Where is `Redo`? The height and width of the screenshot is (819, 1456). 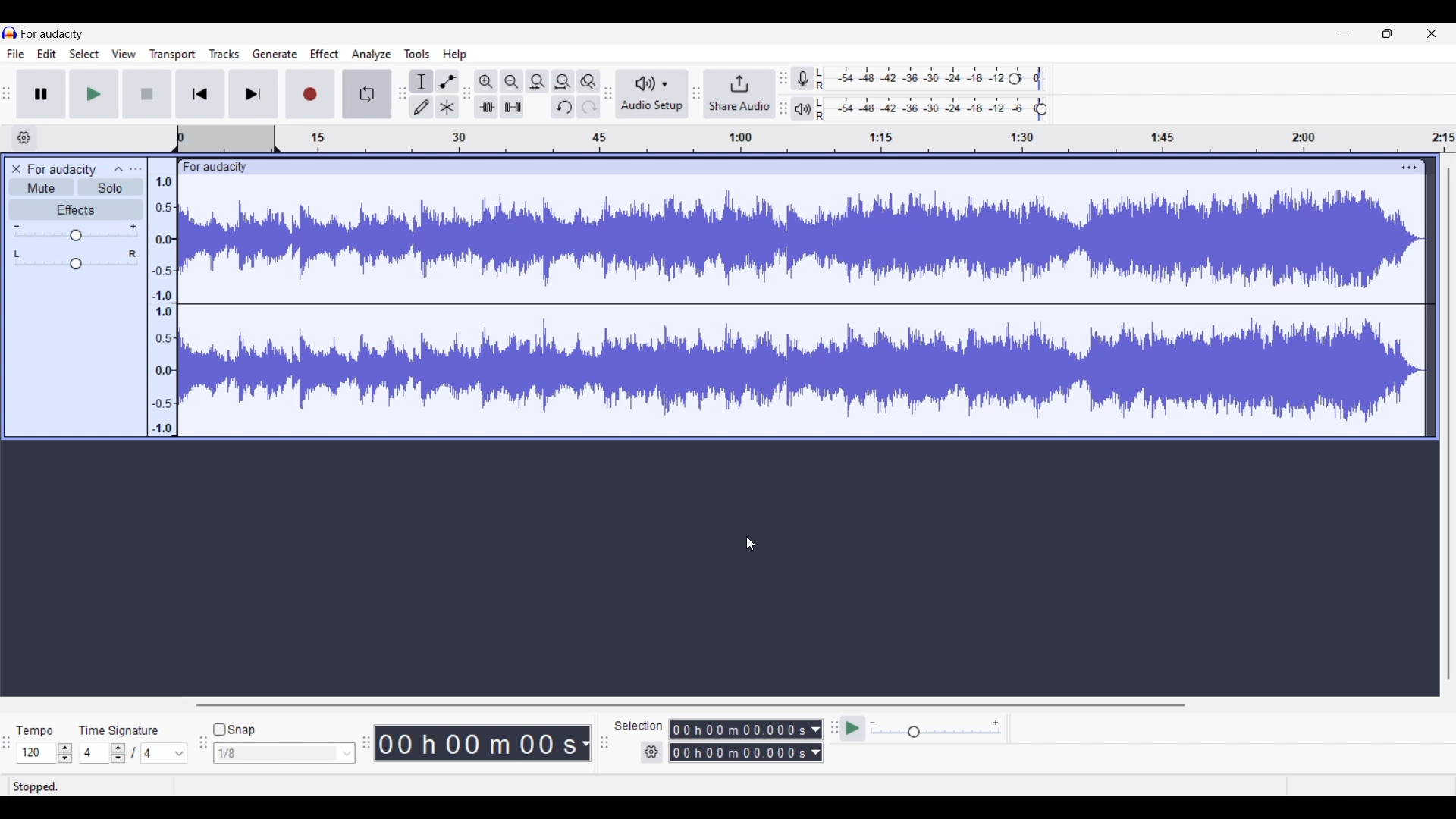 Redo is located at coordinates (585, 108).